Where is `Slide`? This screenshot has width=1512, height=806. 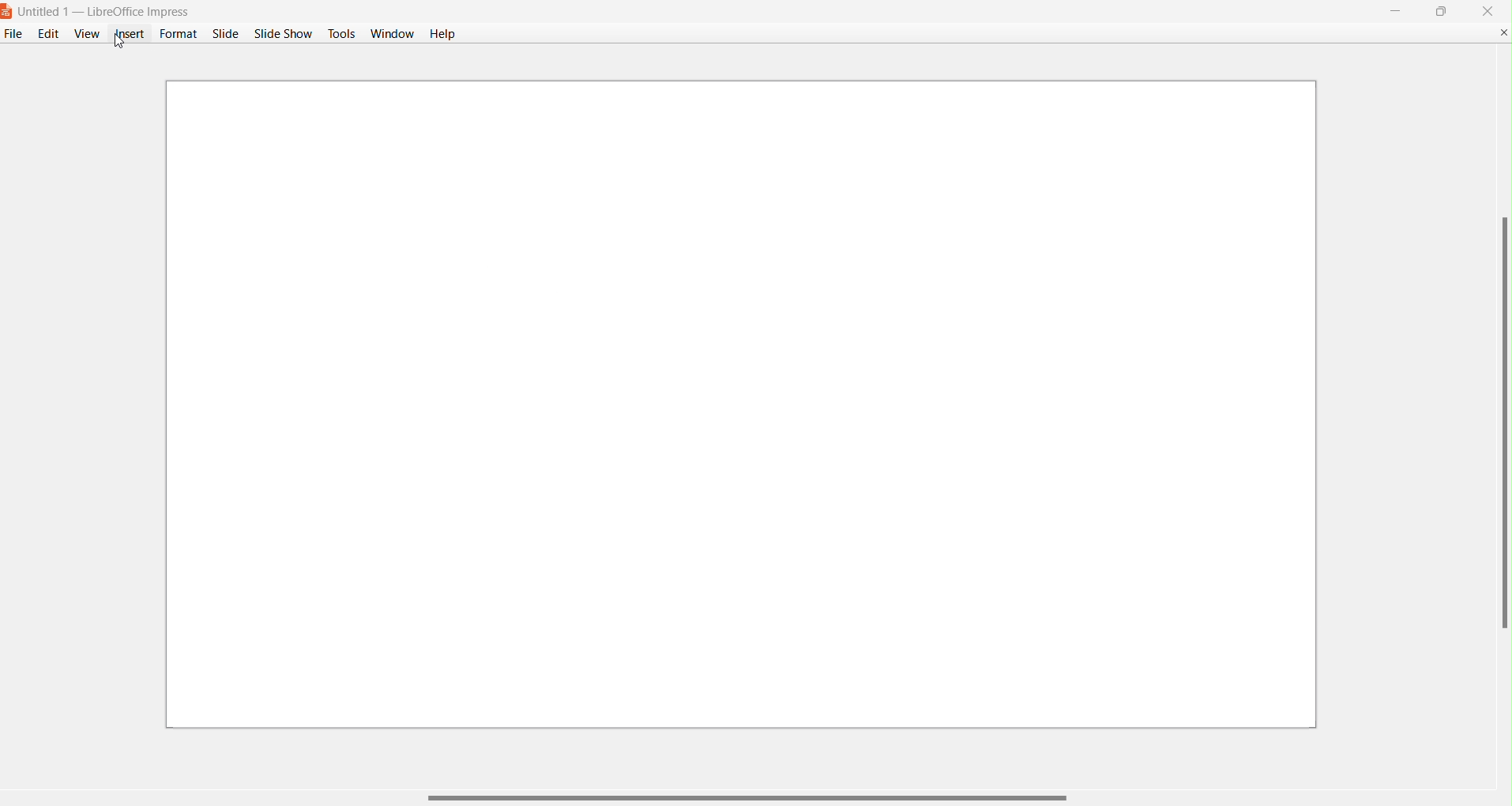
Slide is located at coordinates (226, 34).